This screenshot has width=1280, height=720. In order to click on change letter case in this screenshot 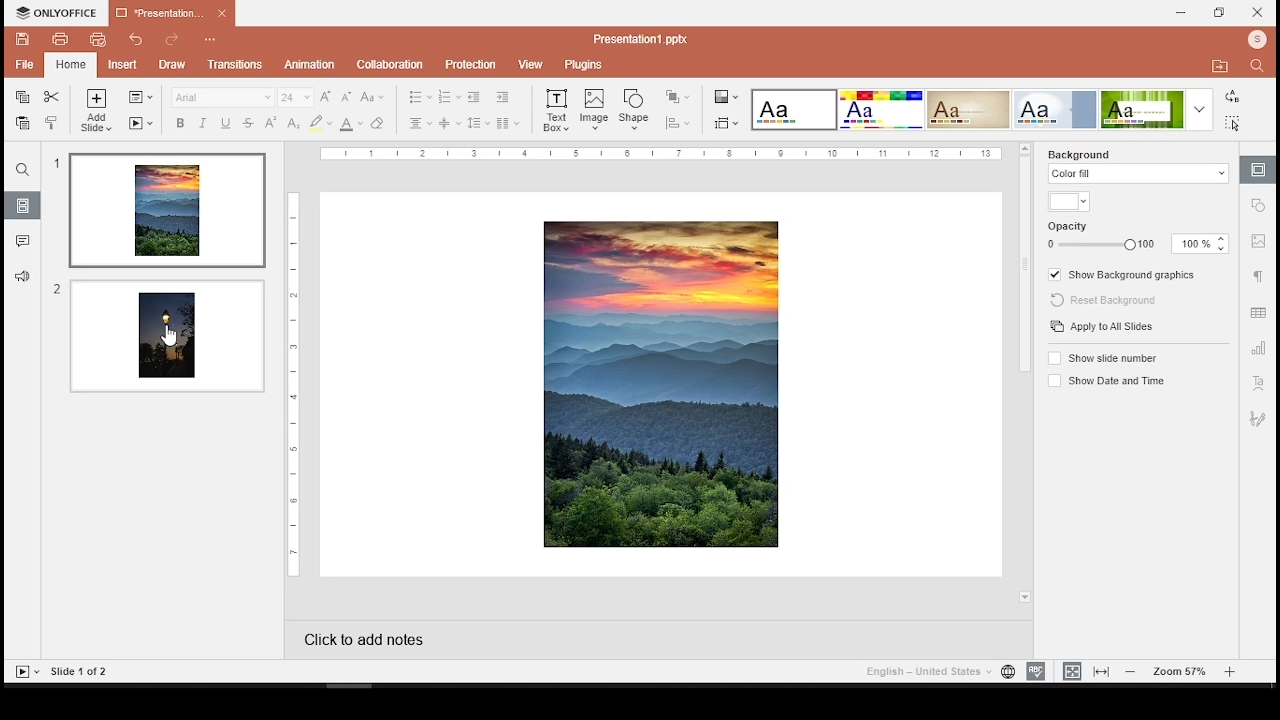, I will do `click(371, 97)`.